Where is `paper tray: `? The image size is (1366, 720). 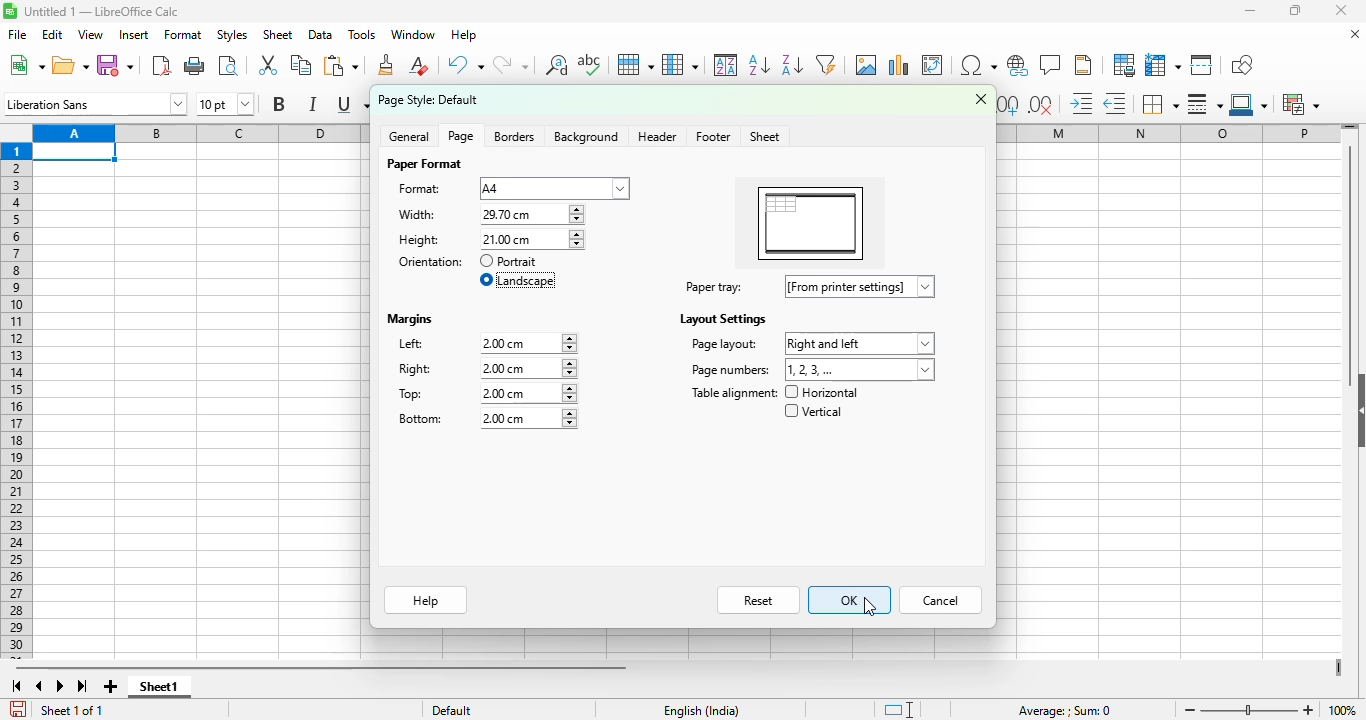 paper tray:  is located at coordinates (714, 287).